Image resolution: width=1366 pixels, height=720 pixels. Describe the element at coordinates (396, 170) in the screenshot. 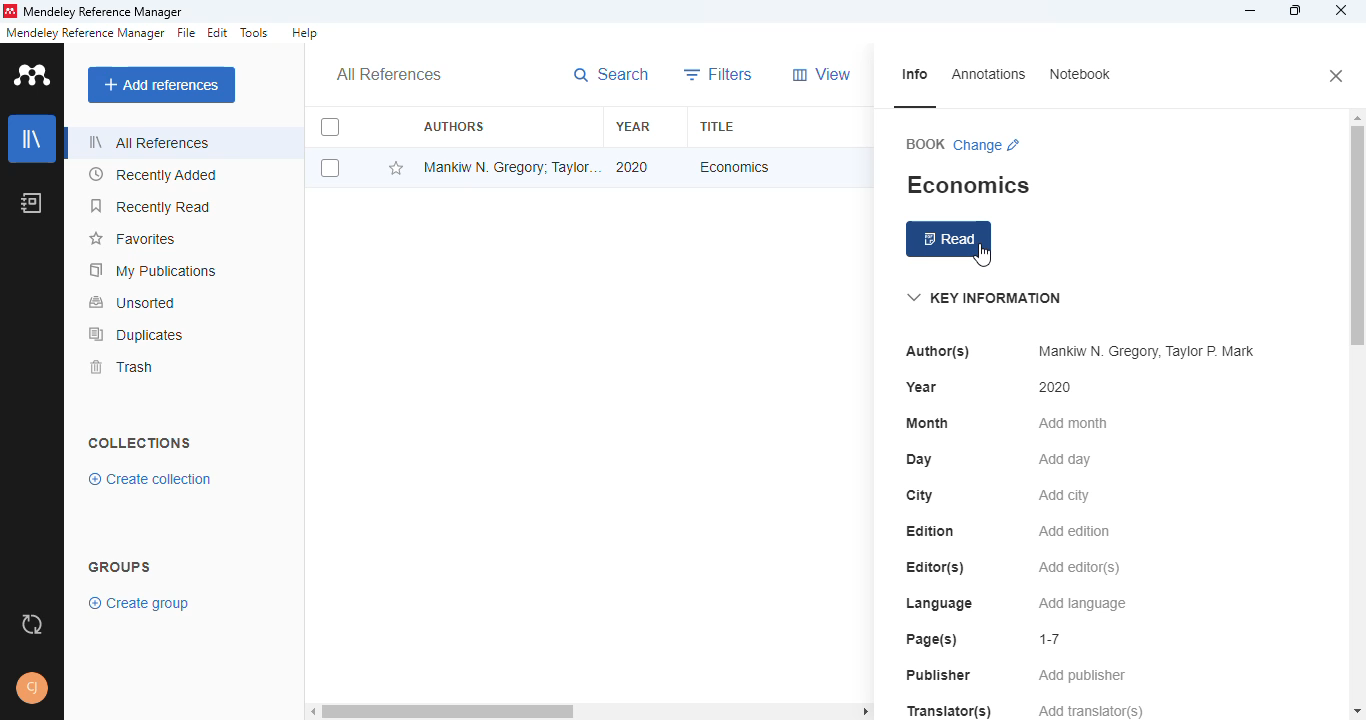

I see `add this reference to favortites` at that location.